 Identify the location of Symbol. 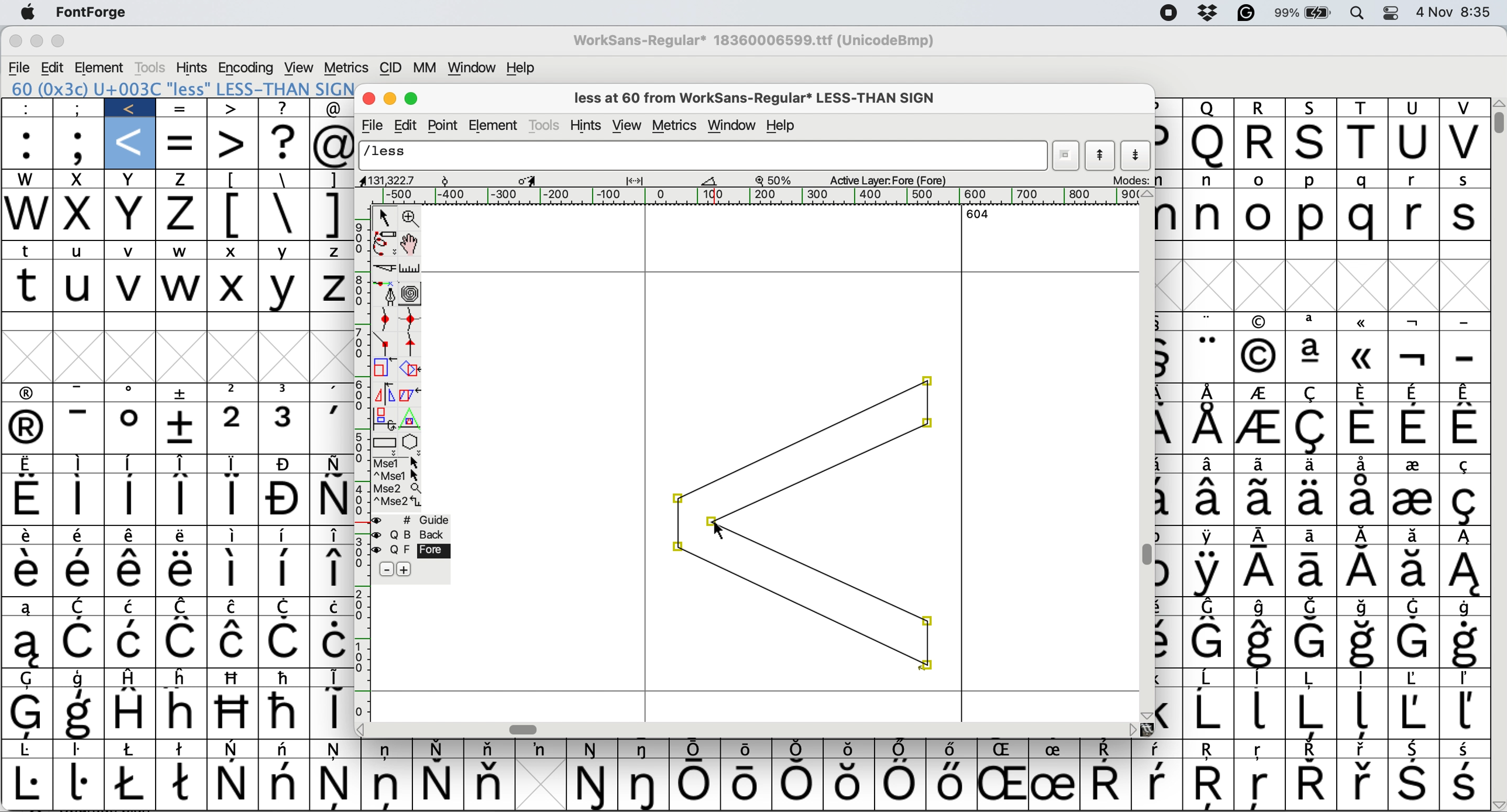
(1312, 323).